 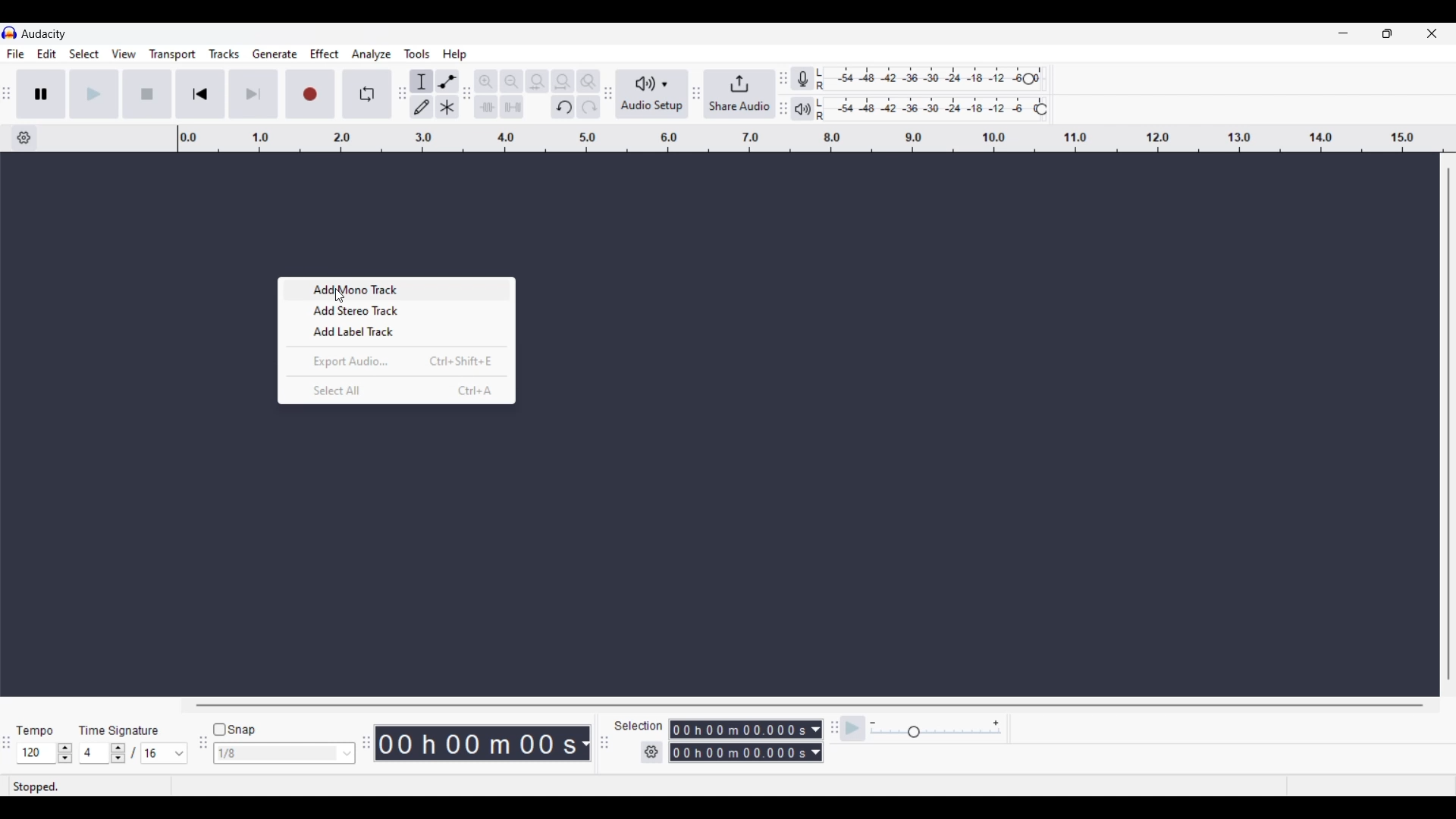 I want to click on Type in snap input, so click(x=277, y=754).